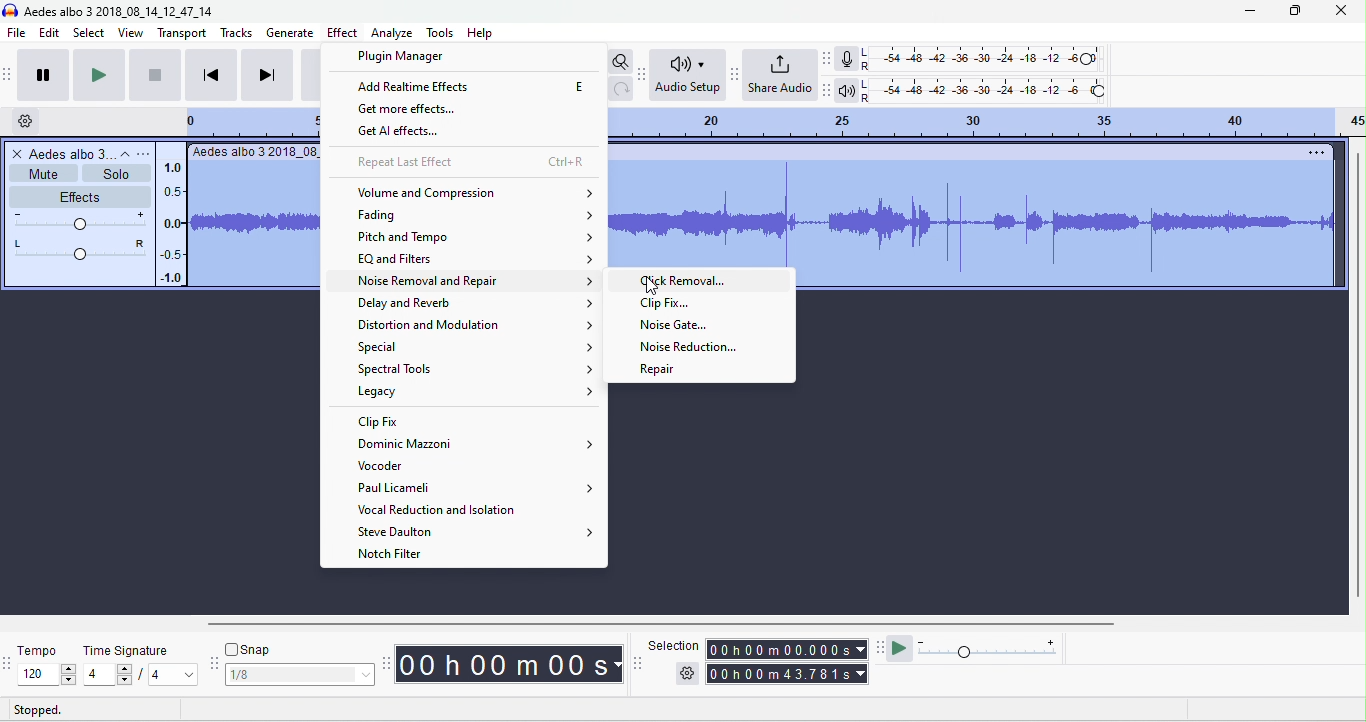 Image resolution: width=1366 pixels, height=722 pixels. Describe the element at coordinates (621, 62) in the screenshot. I see `toggle zoom` at that location.